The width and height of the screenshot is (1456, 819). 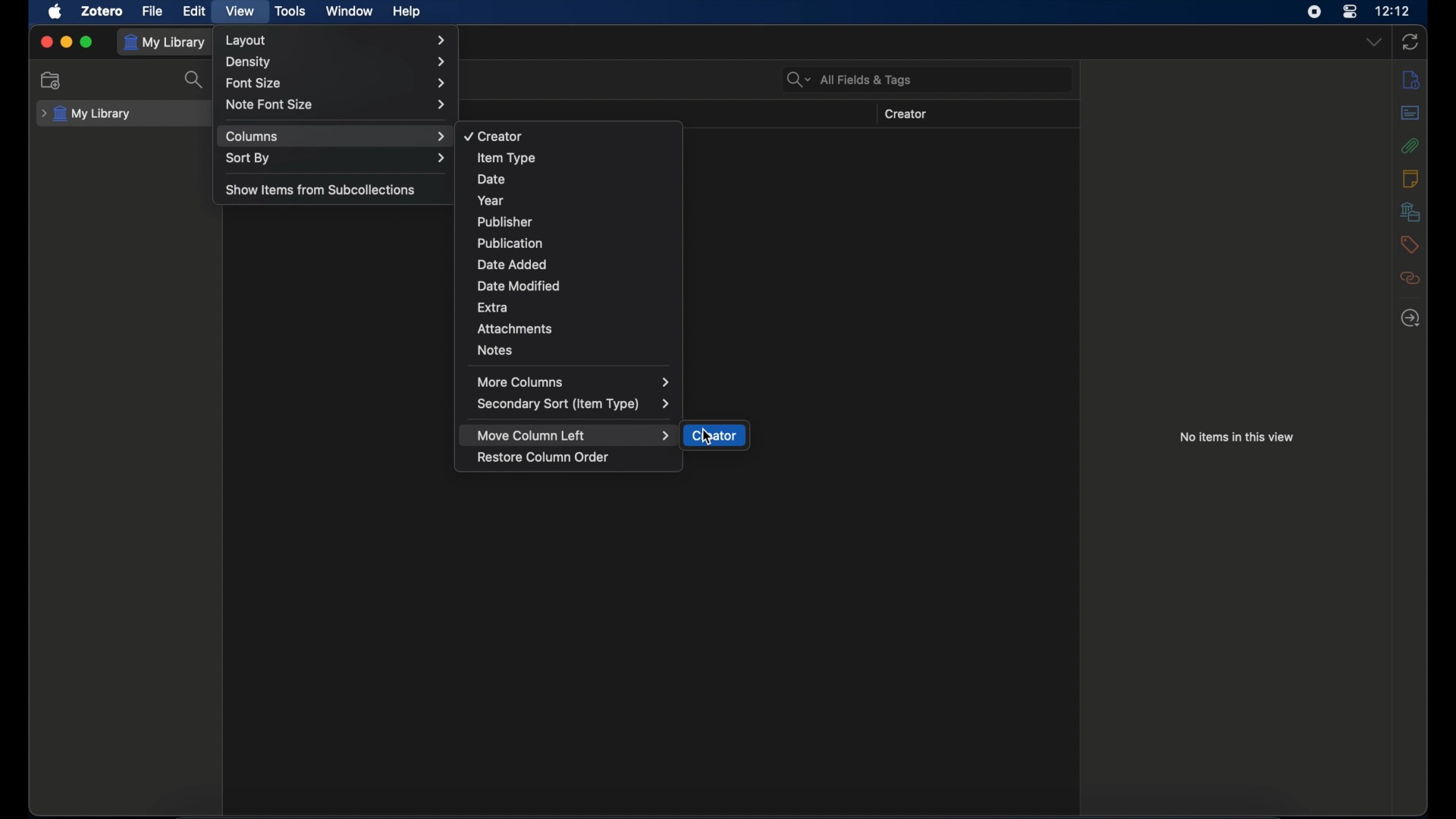 What do you see at coordinates (1375, 41) in the screenshot?
I see `drop-down` at bounding box center [1375, 41].